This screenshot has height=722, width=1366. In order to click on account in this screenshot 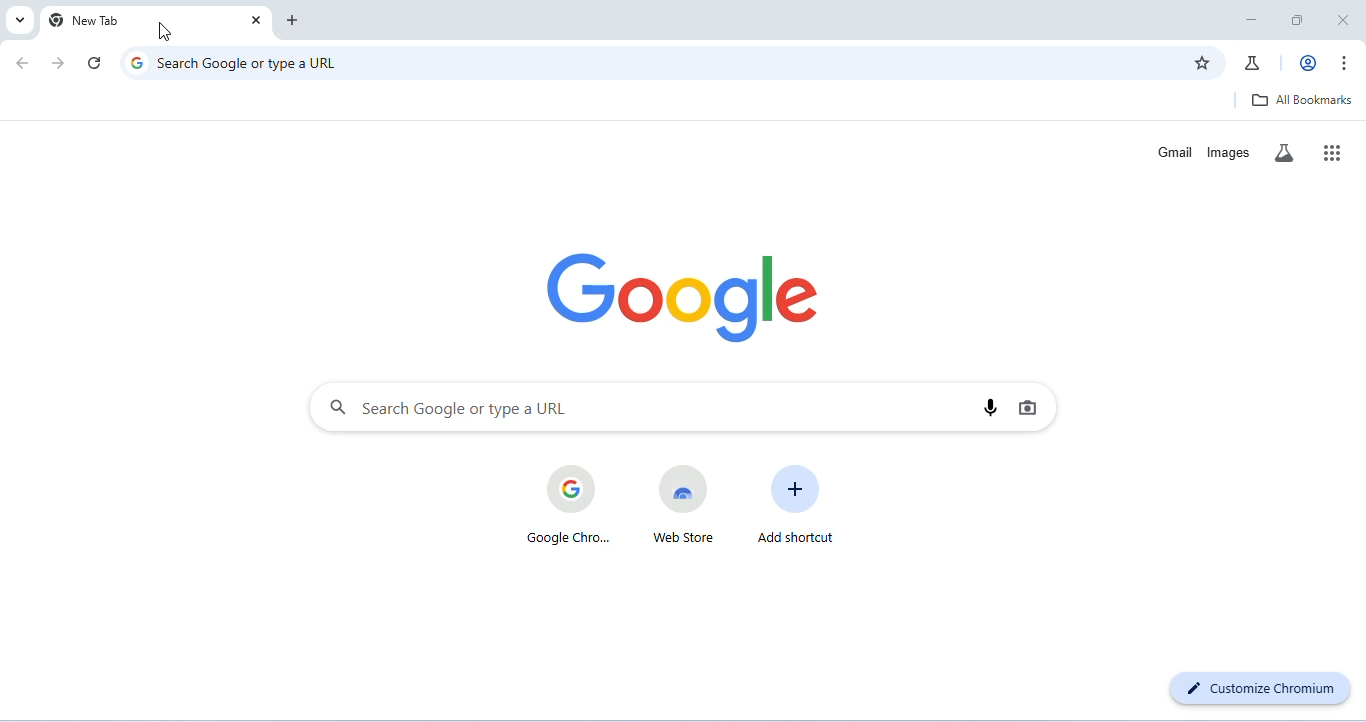, I will do `click(1305, 63)`.